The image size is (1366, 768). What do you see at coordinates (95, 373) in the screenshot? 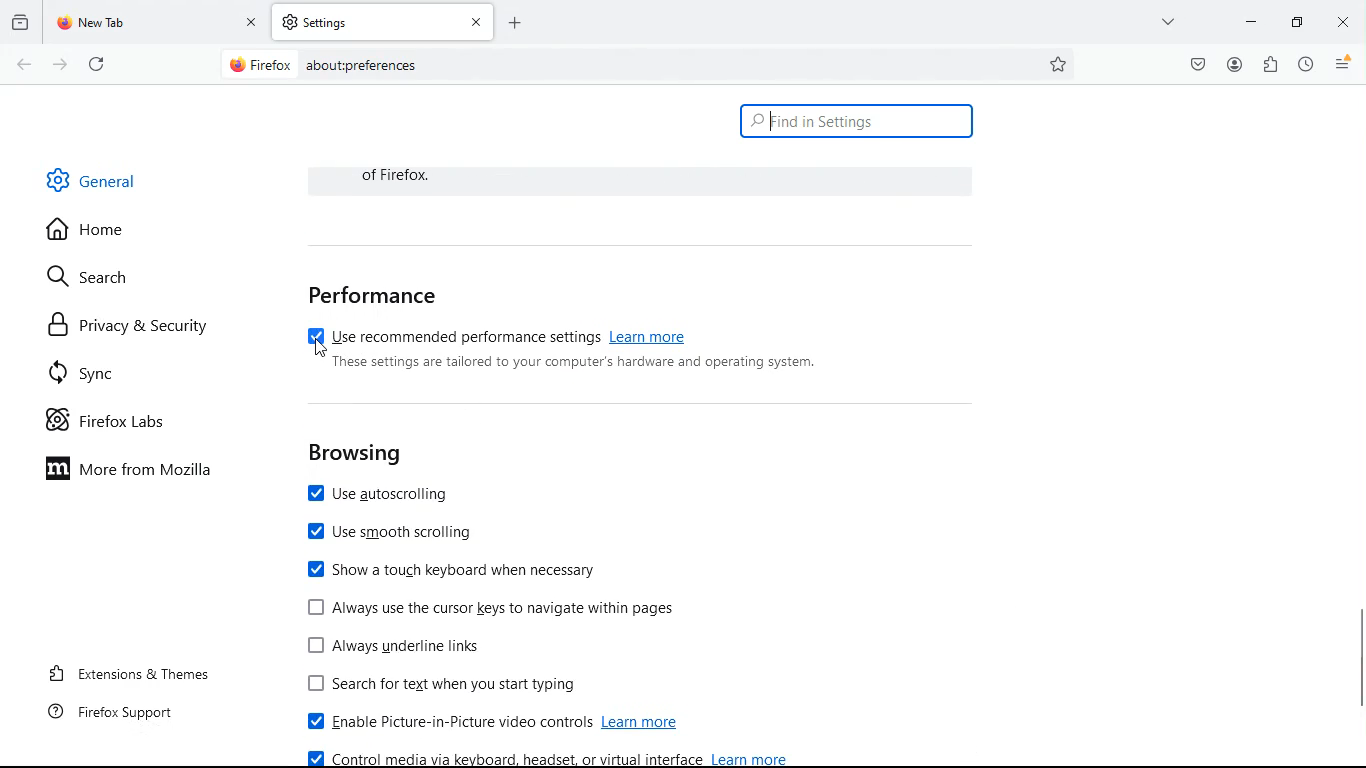
I see `sync` at bounding box center [95, 373].